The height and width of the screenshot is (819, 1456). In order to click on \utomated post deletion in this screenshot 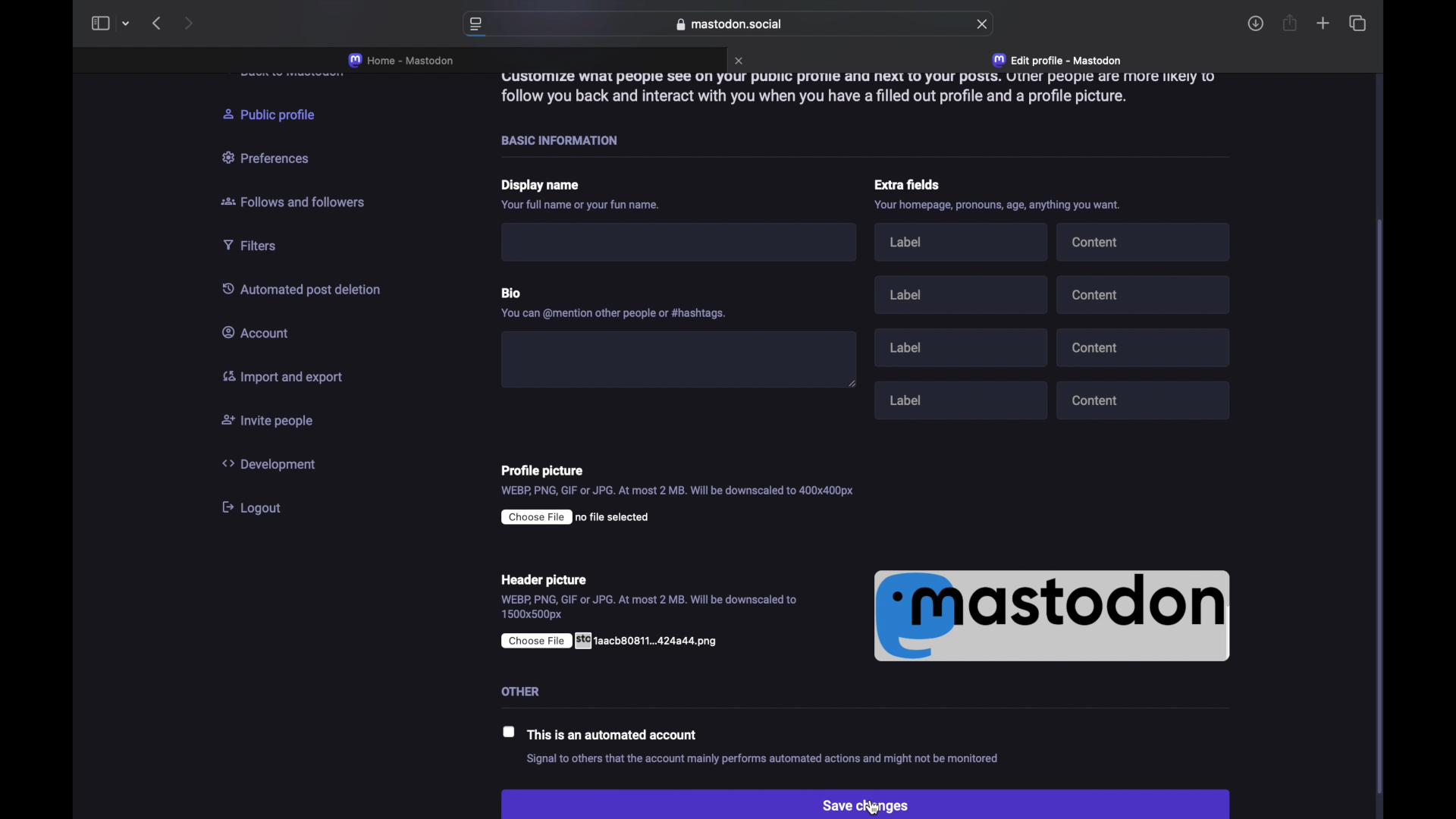, I will do `click(300, 288)`.